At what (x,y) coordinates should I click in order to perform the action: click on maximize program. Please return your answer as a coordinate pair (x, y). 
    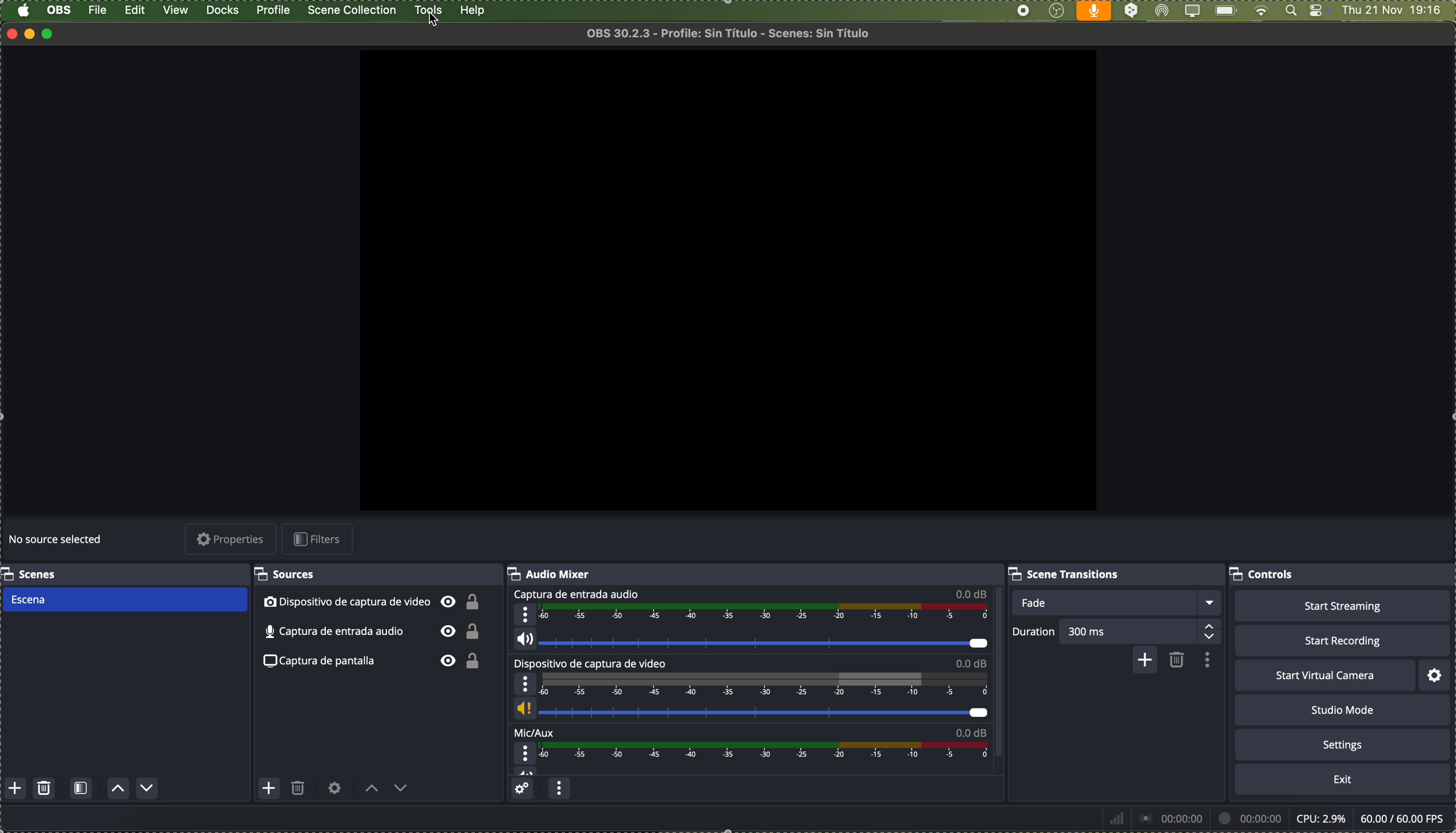
    Looking at the image, I should click on (51, 34).